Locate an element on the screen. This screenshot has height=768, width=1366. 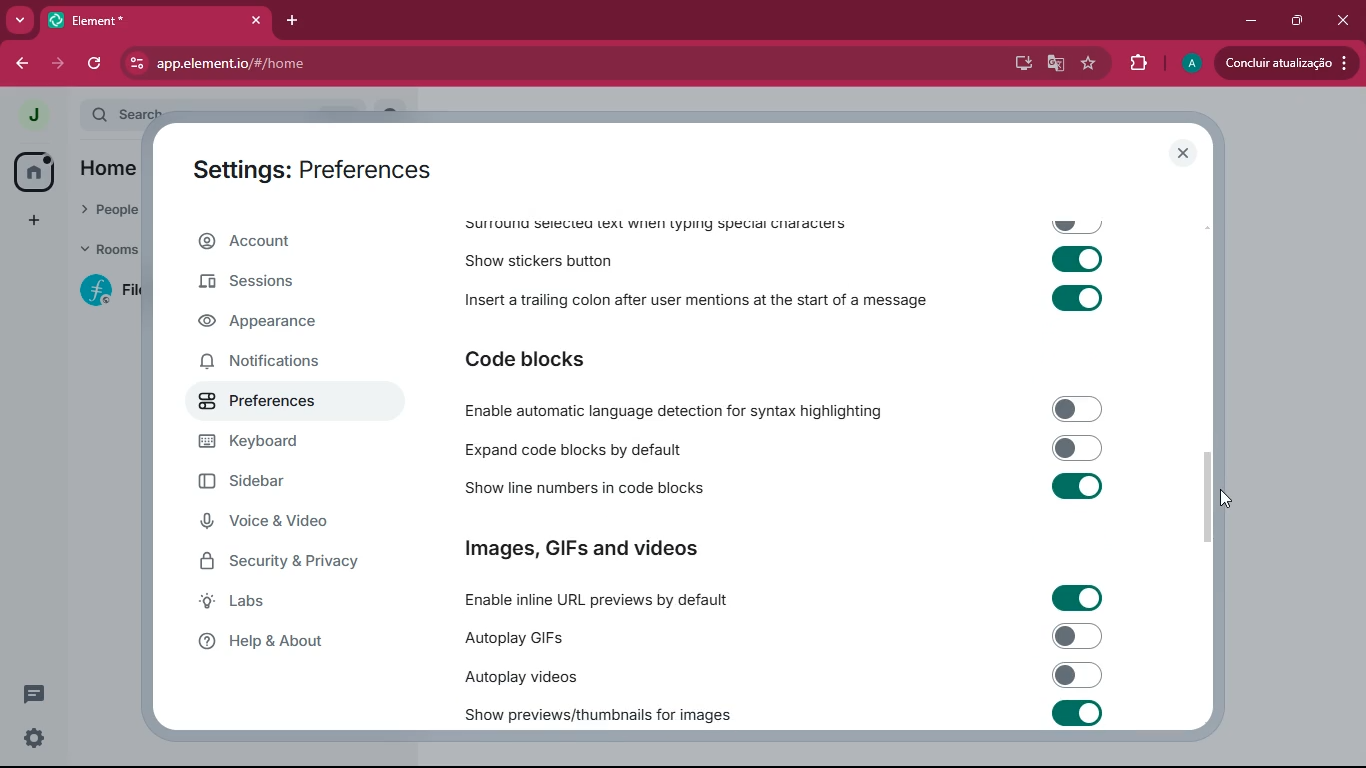
conduir atualizacao is located at coordinates (1287, 63).